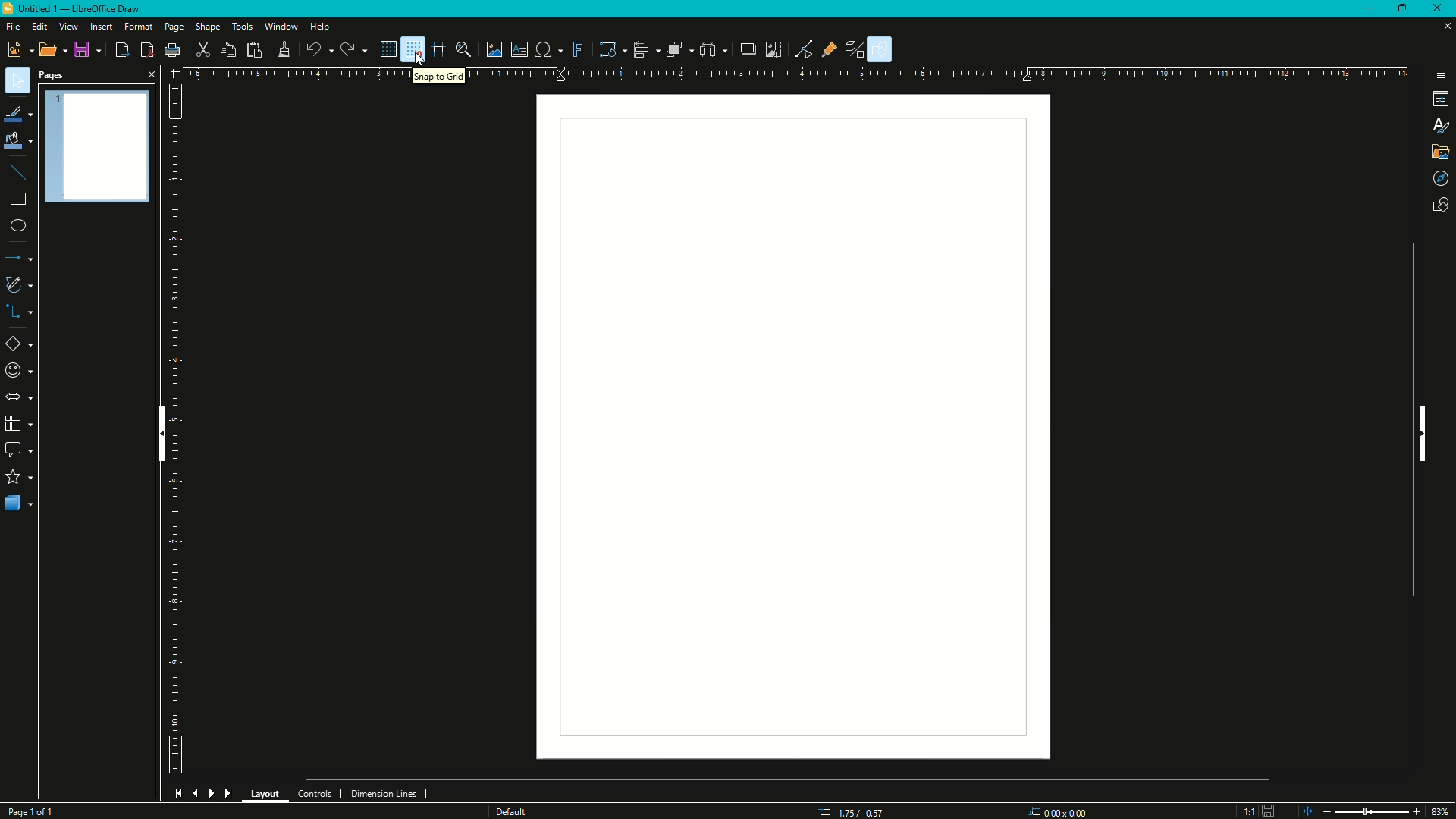 Image resolution: width=1456 pixels, height=819 pixels. Describe the element at coordinates (280, 27) in the screenshot. I see `Window` at that location.